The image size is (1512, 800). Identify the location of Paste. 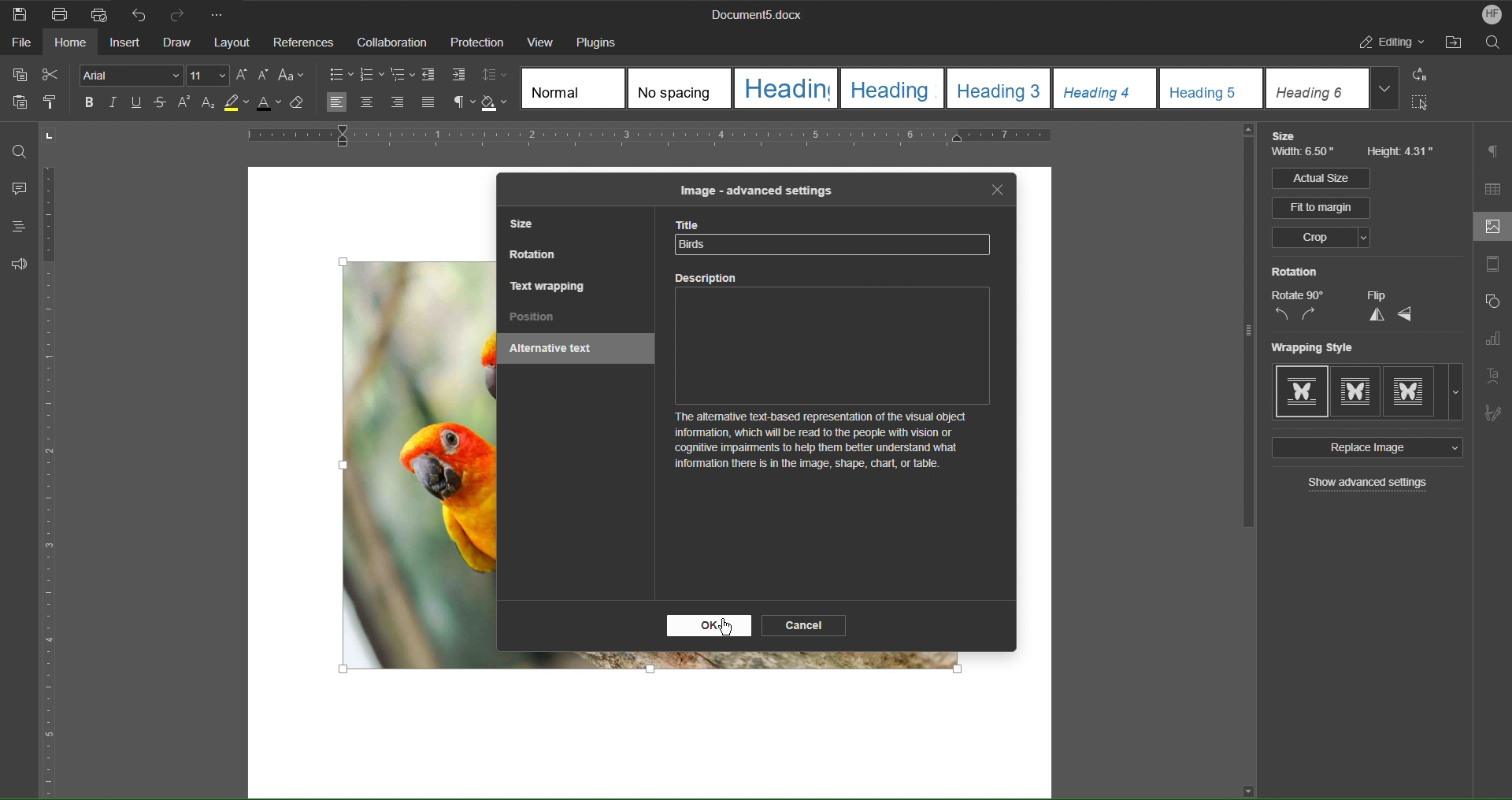
(17, 106).